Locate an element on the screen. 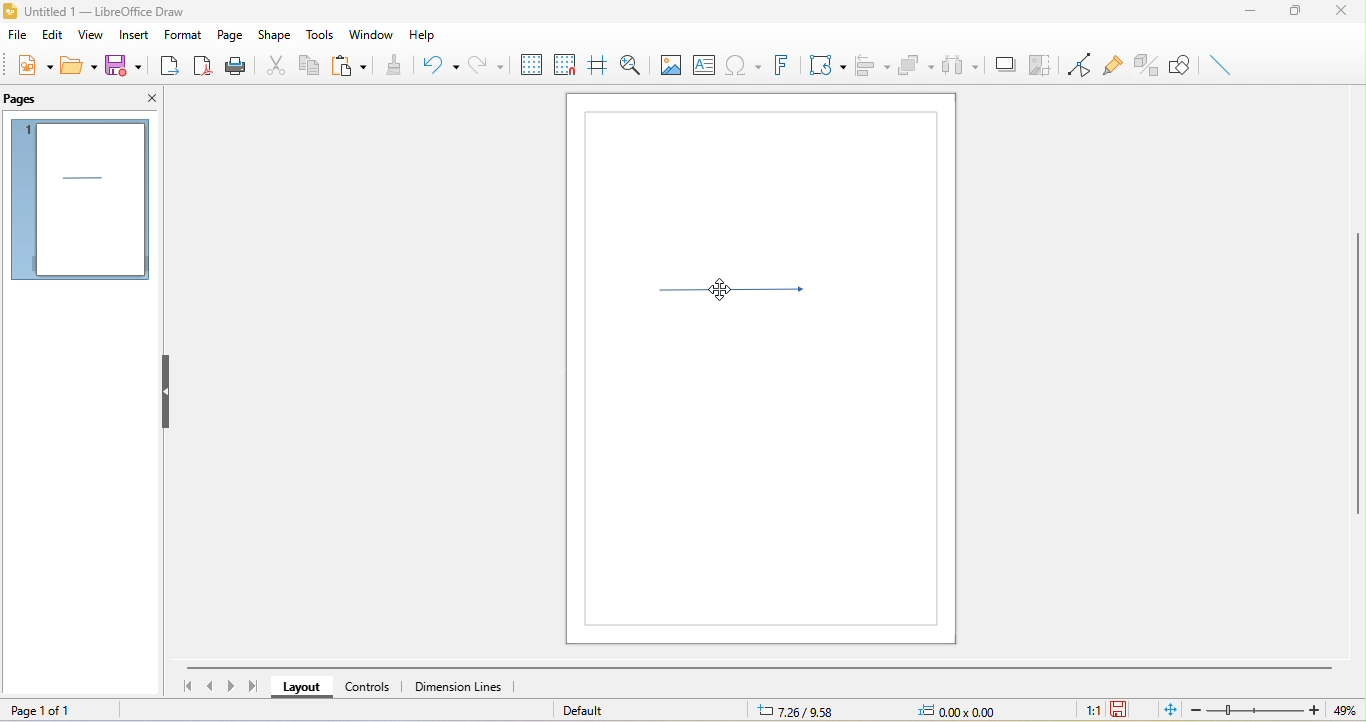 The image size is (1366, 722). redo is located at coordinates (487, 63).